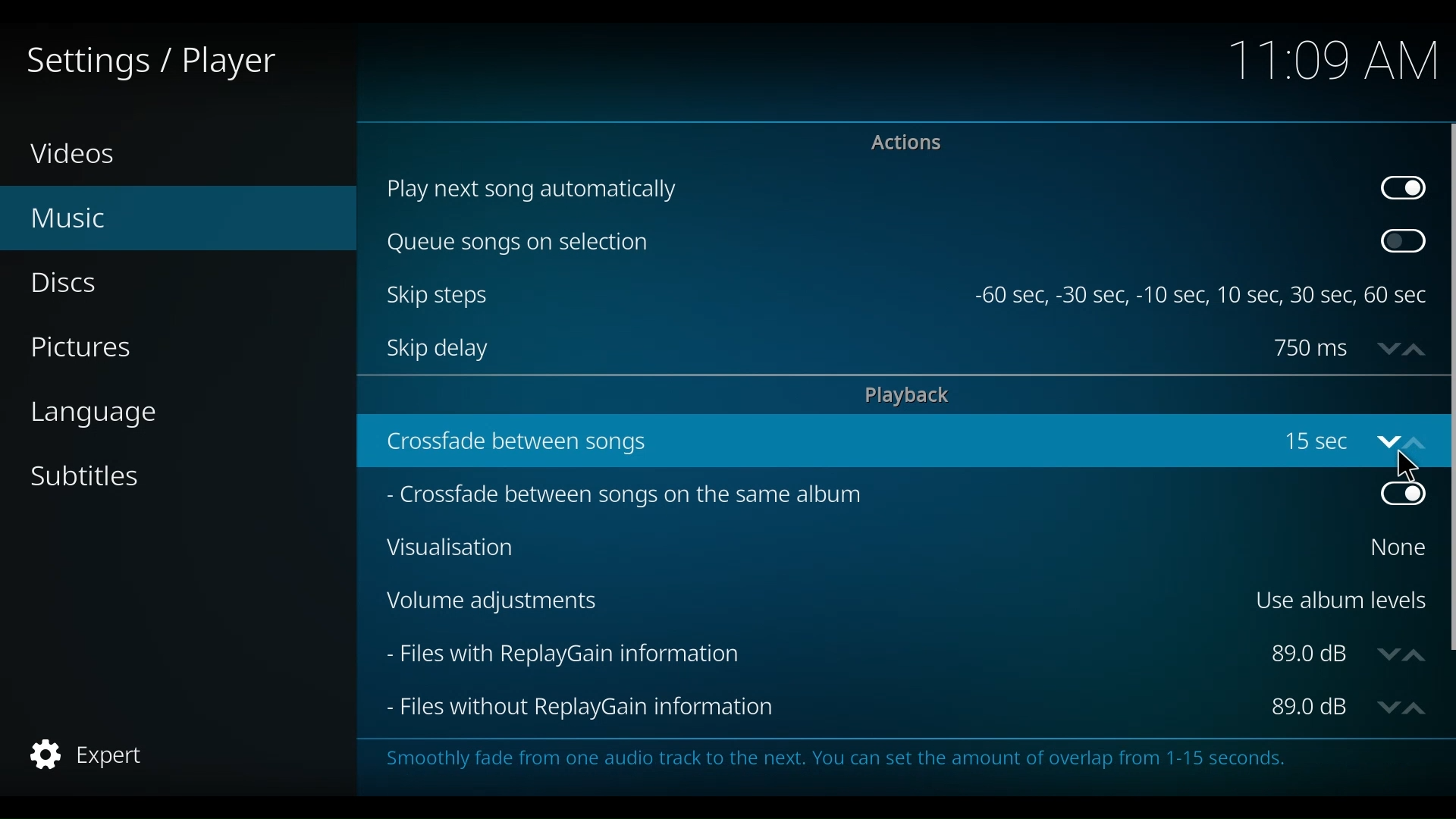 This screenshot has width=1456, height=819. Describe the element at coordinates (1404, 469) in the screenshot. I see `Cursor` at that location.